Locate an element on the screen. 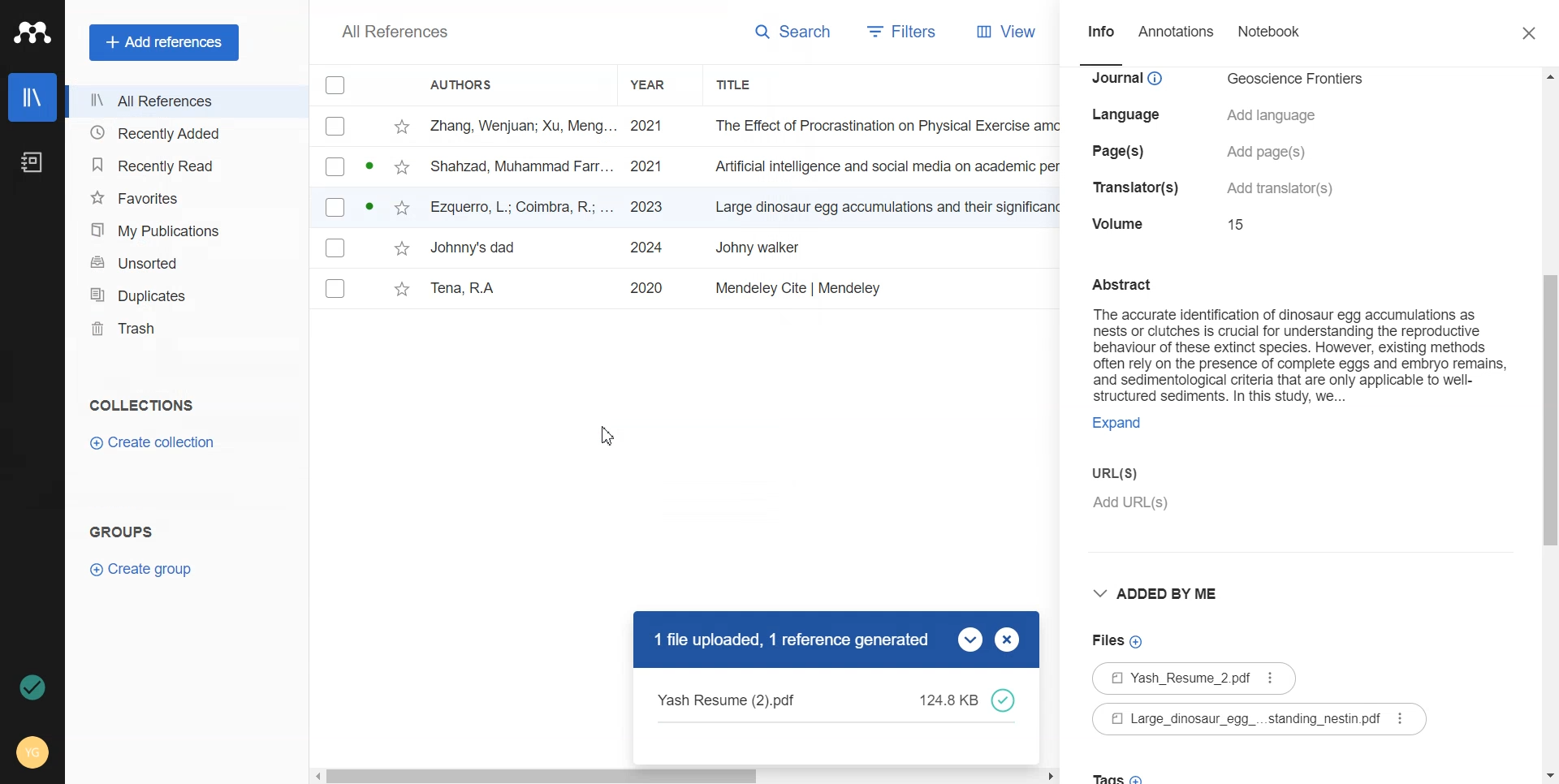  Text is located at coordinates (795, 640).